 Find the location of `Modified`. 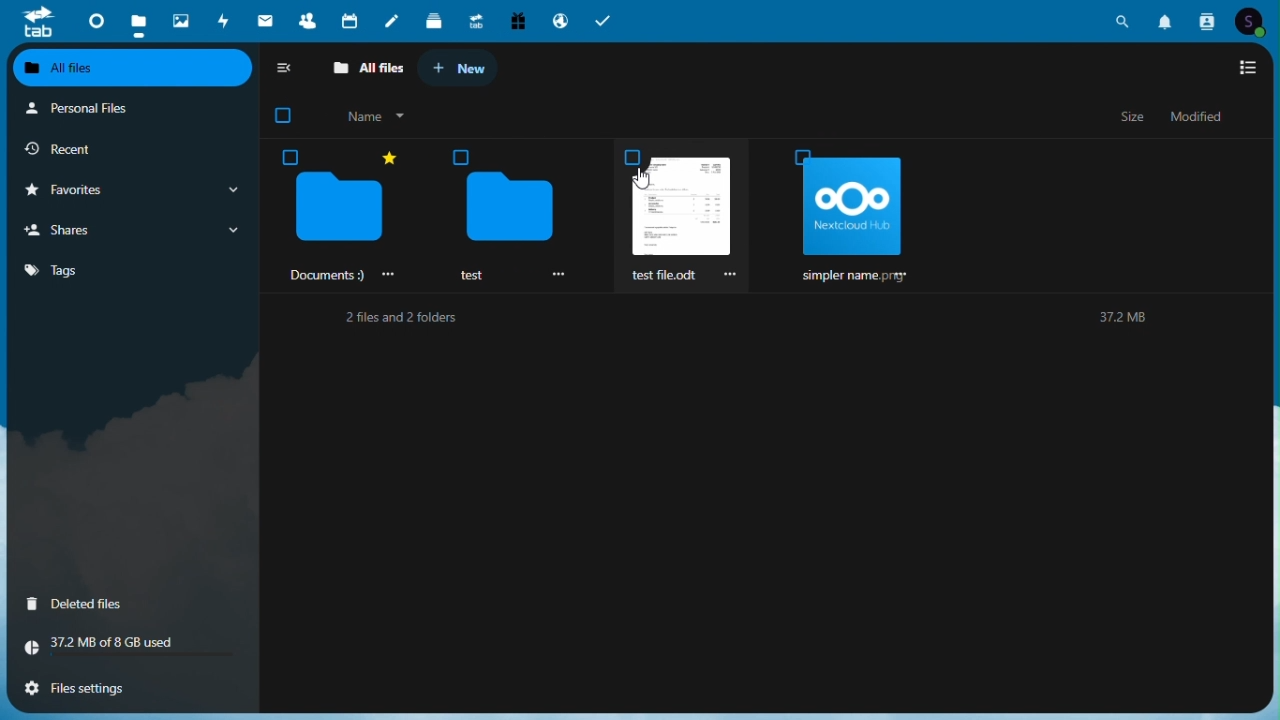

Modified is located at coordinates (1198, 118).